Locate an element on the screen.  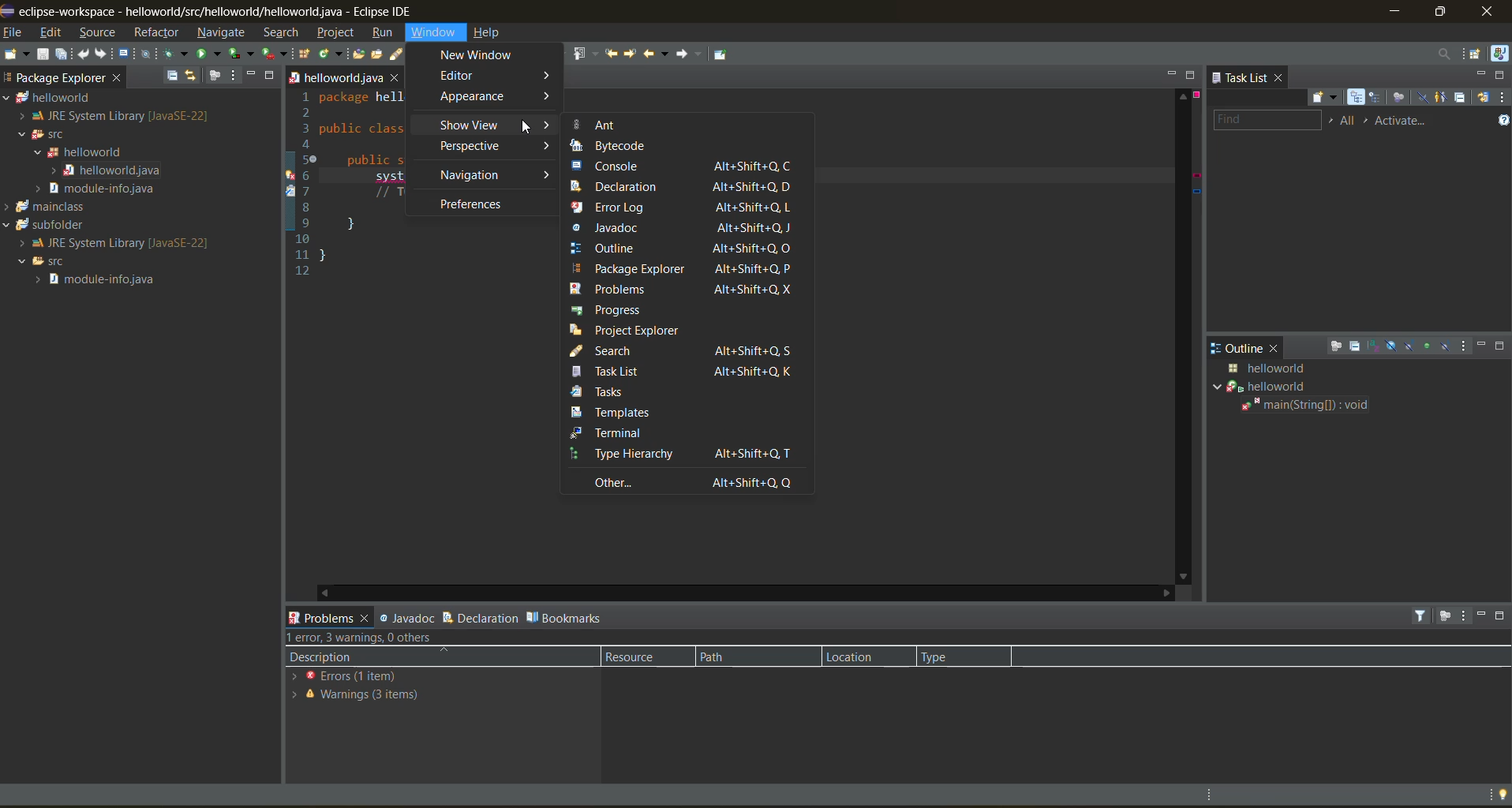
maximize is located at coordinates (1192, 75).